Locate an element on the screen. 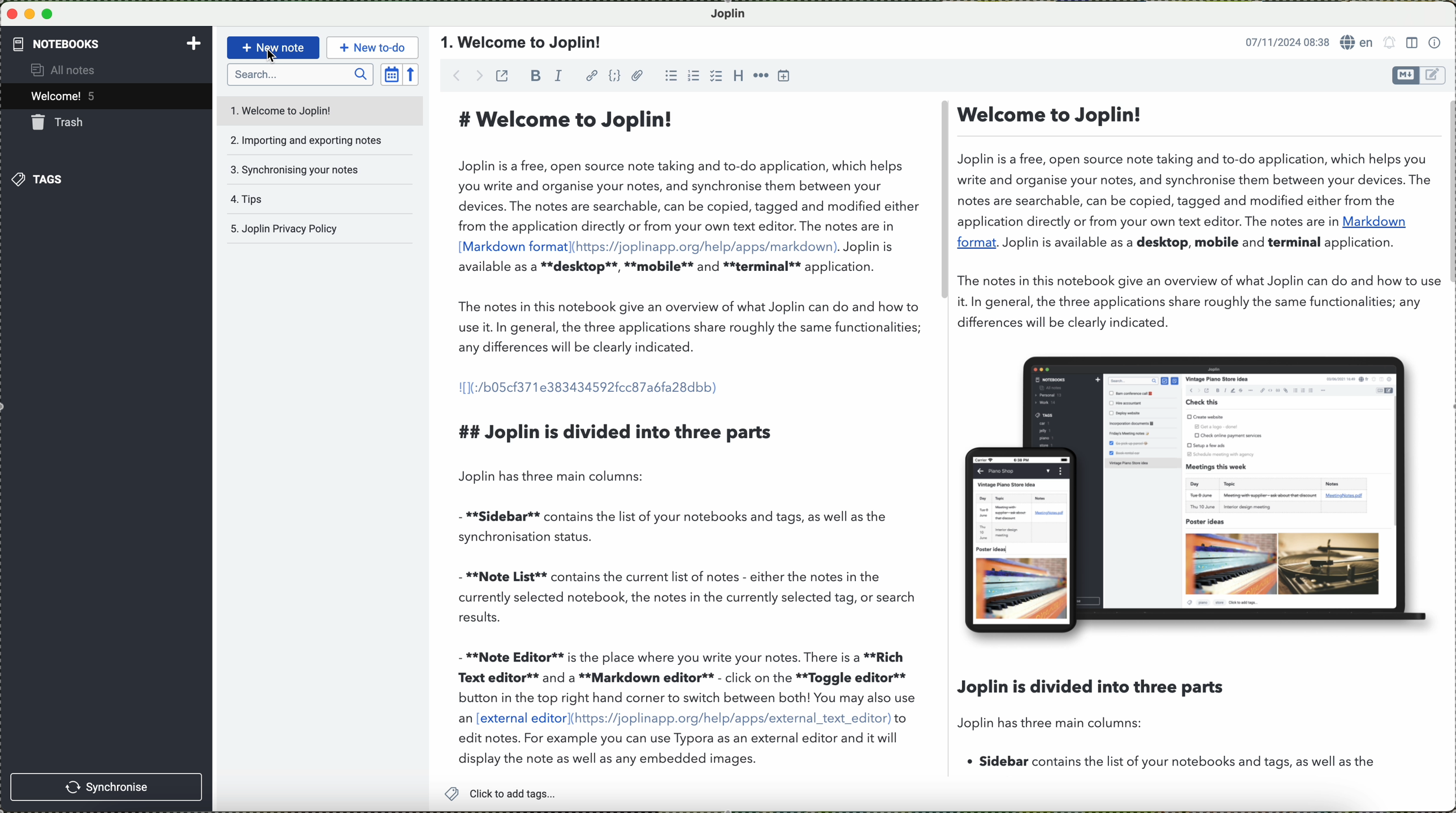 The image size is (1456, 813). hyperlink is located at coordinates (591, 75).